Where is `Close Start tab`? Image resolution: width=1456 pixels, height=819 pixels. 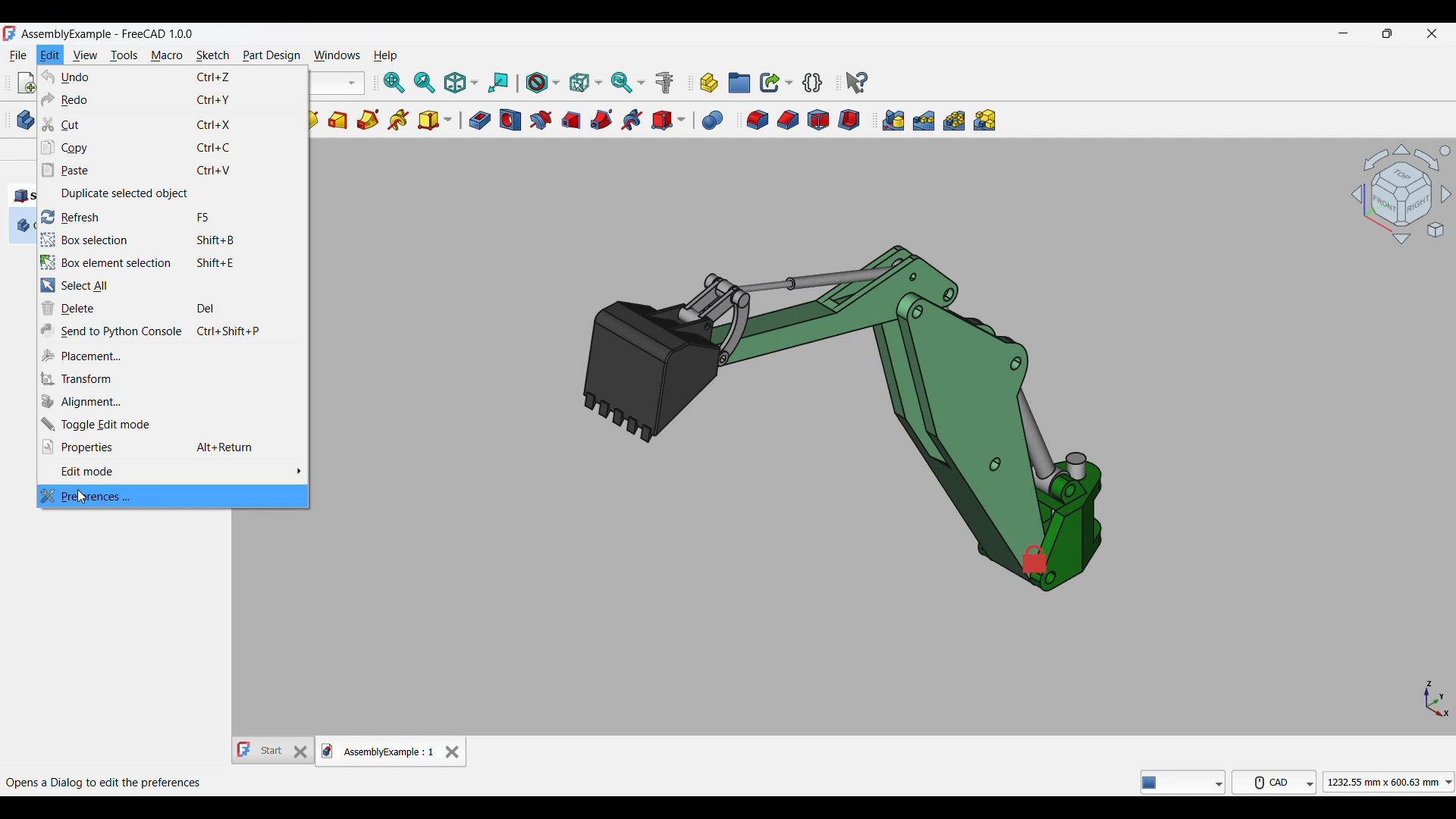 Close Start tab is located at coordinates (301, 752).